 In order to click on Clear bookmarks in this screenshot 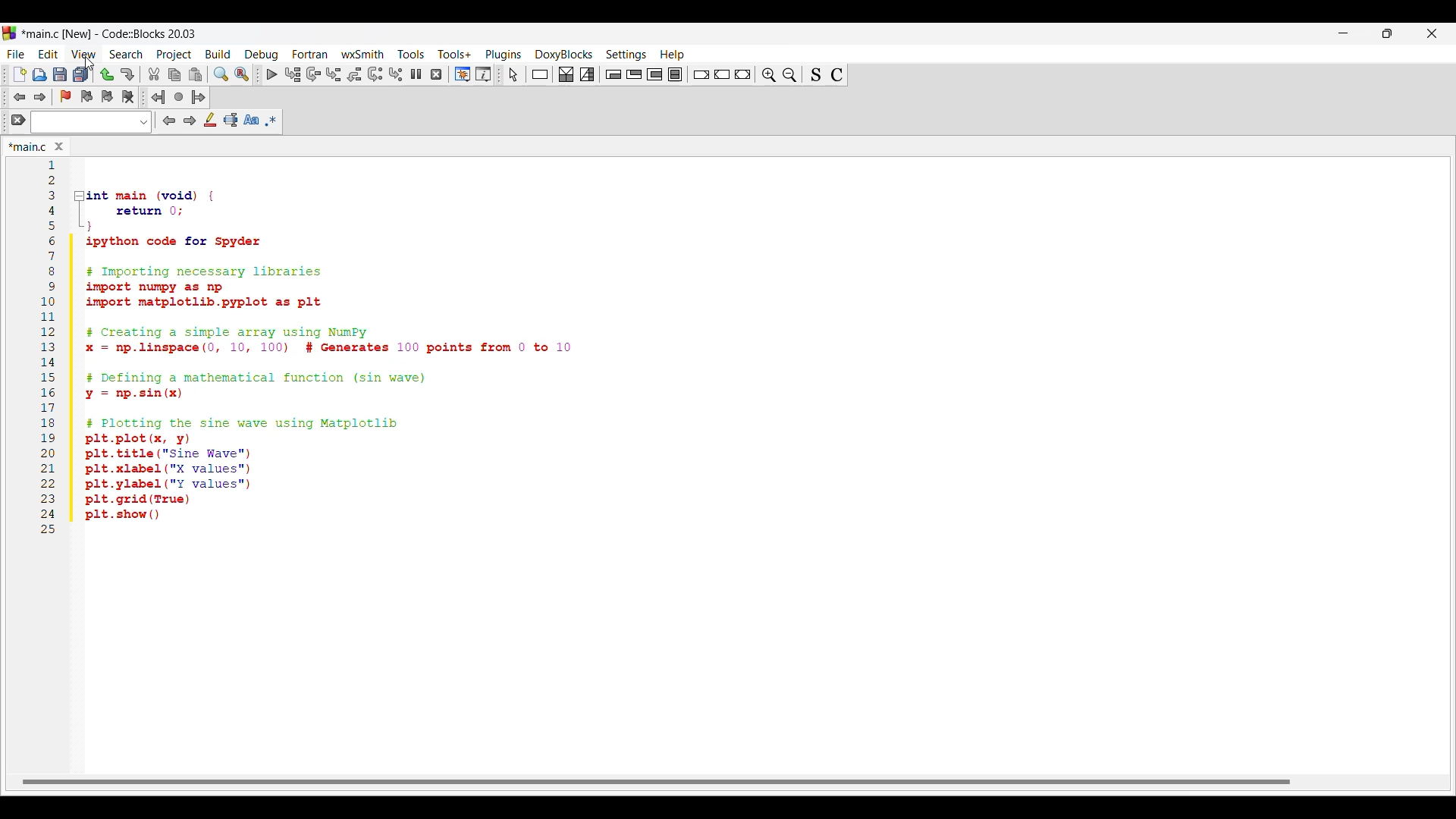, I will do `click(128, 97)`.